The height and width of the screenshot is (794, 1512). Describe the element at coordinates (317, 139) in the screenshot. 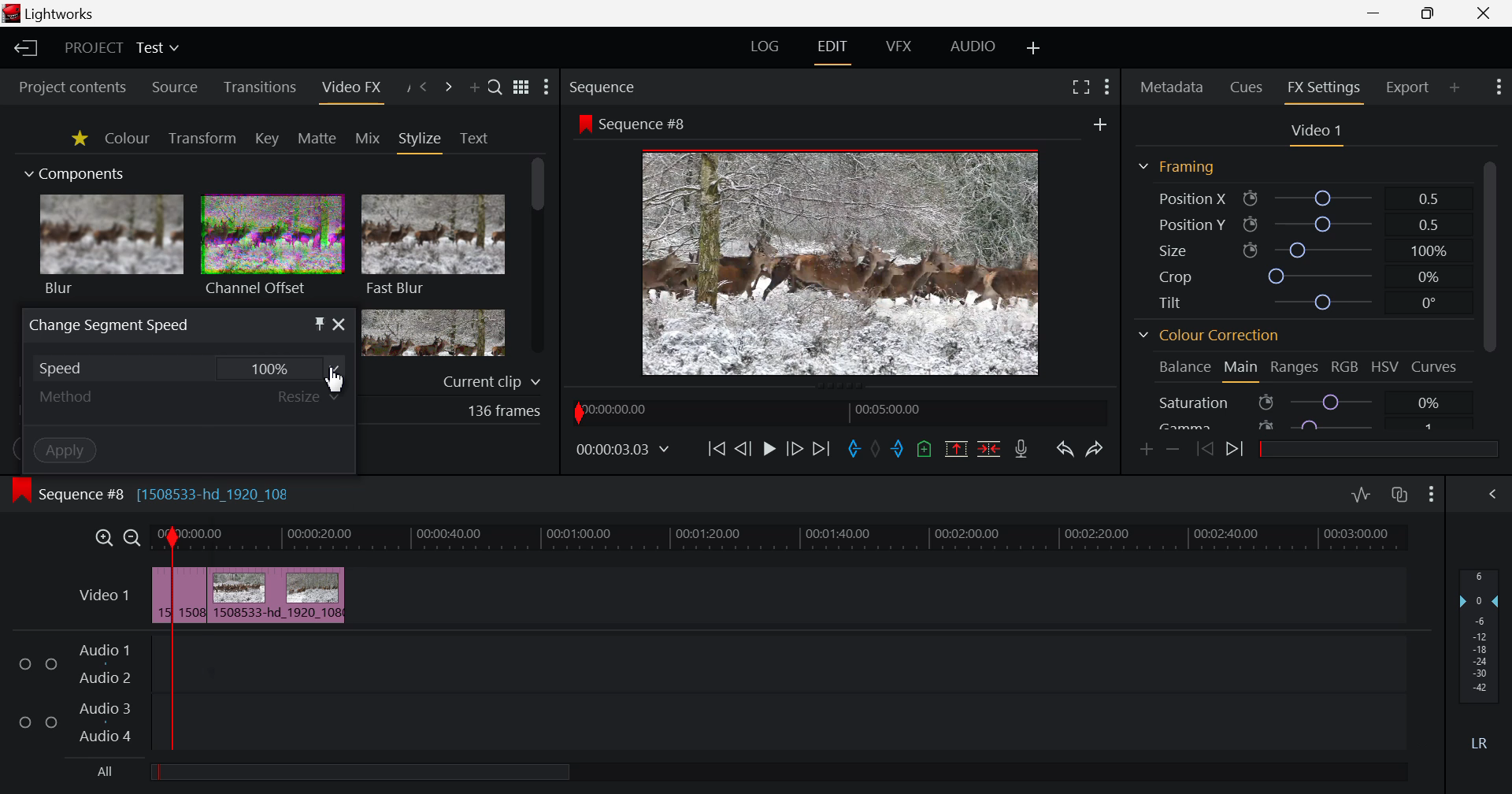

I see `Matte` at that location.